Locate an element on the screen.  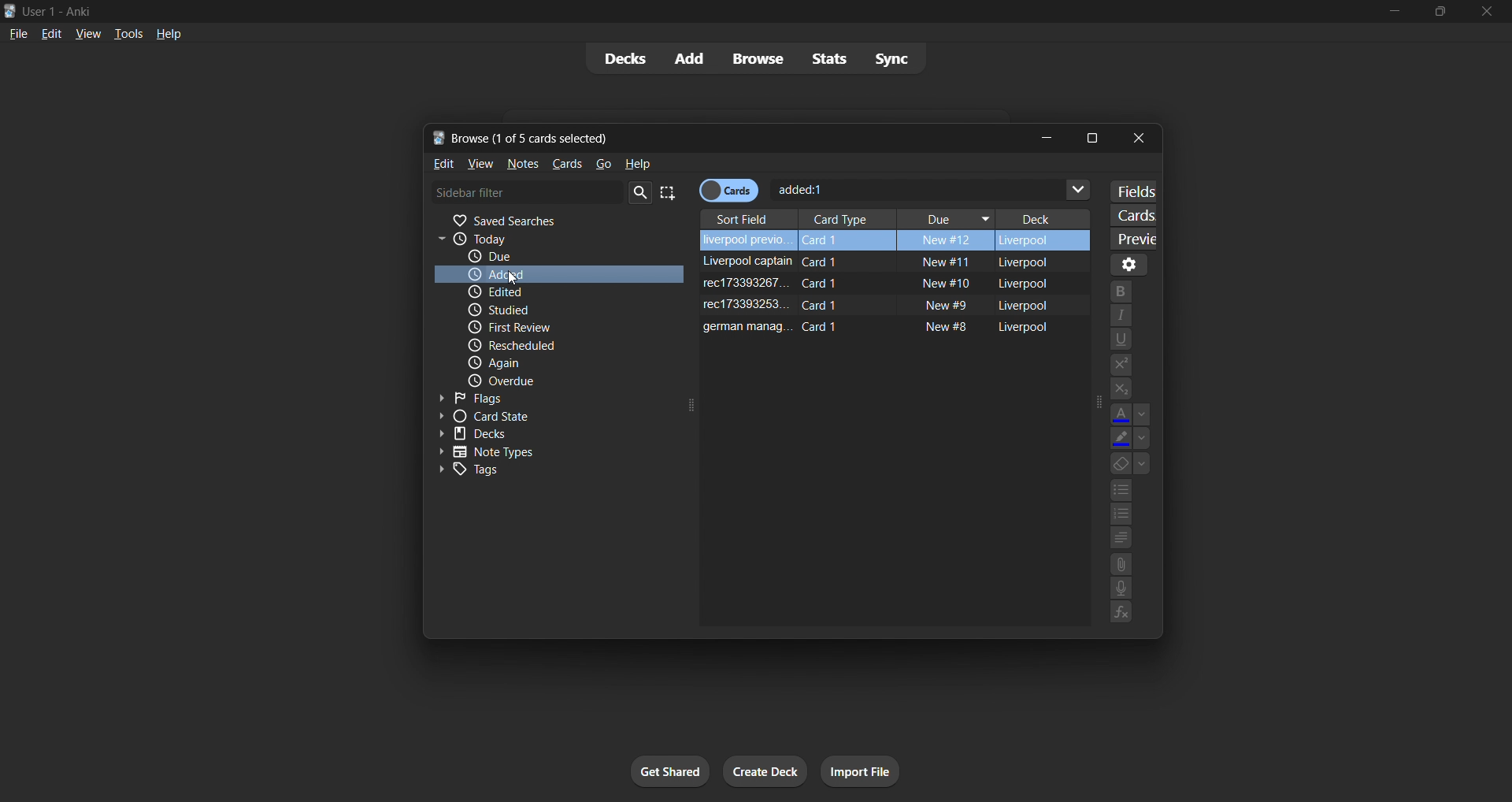
rescheduled is located at coordinates (561, 343).